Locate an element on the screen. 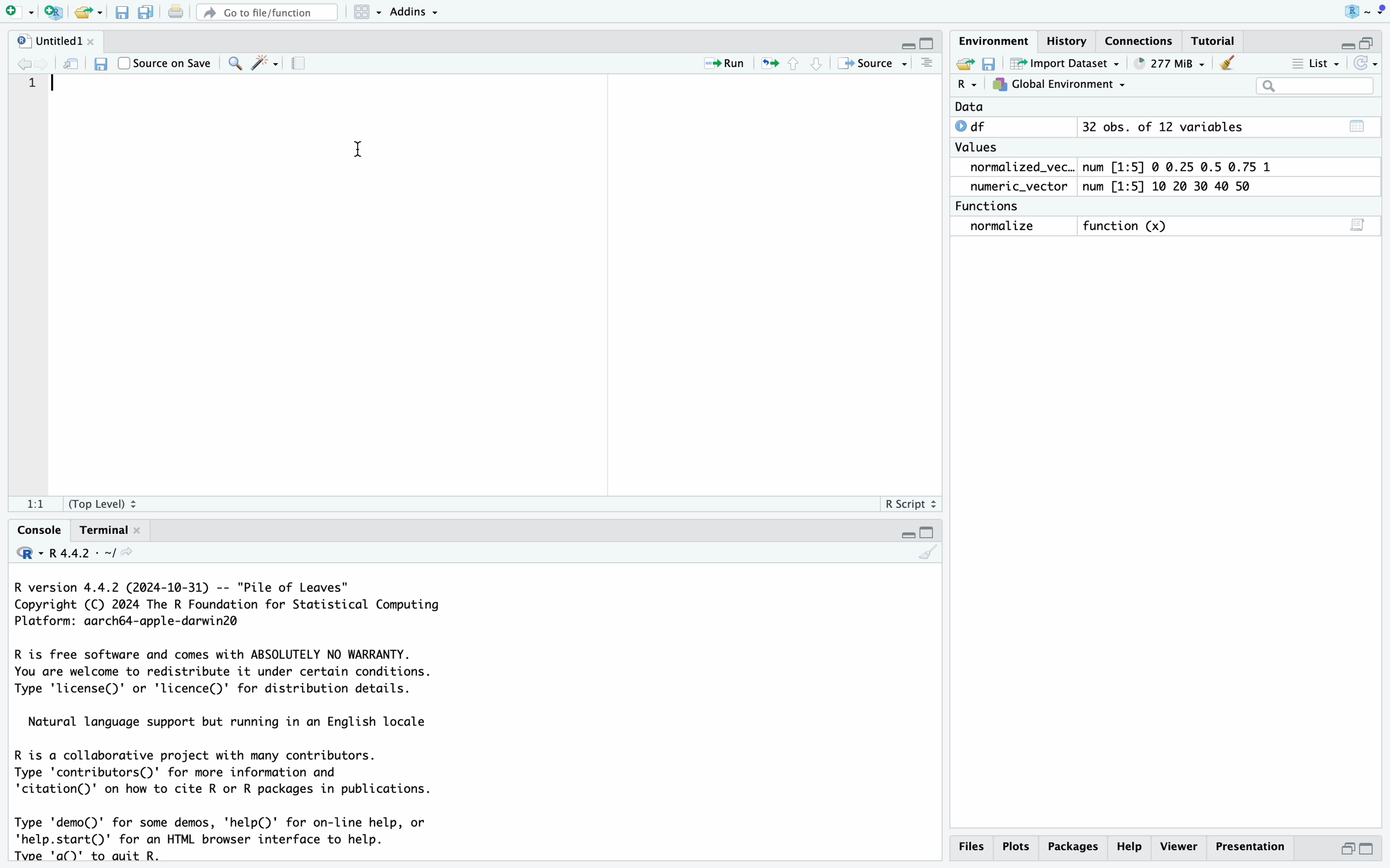 The height and width of the screenshot is (868, 1390). MAXIMISE is located at coordinates (1373, 38).